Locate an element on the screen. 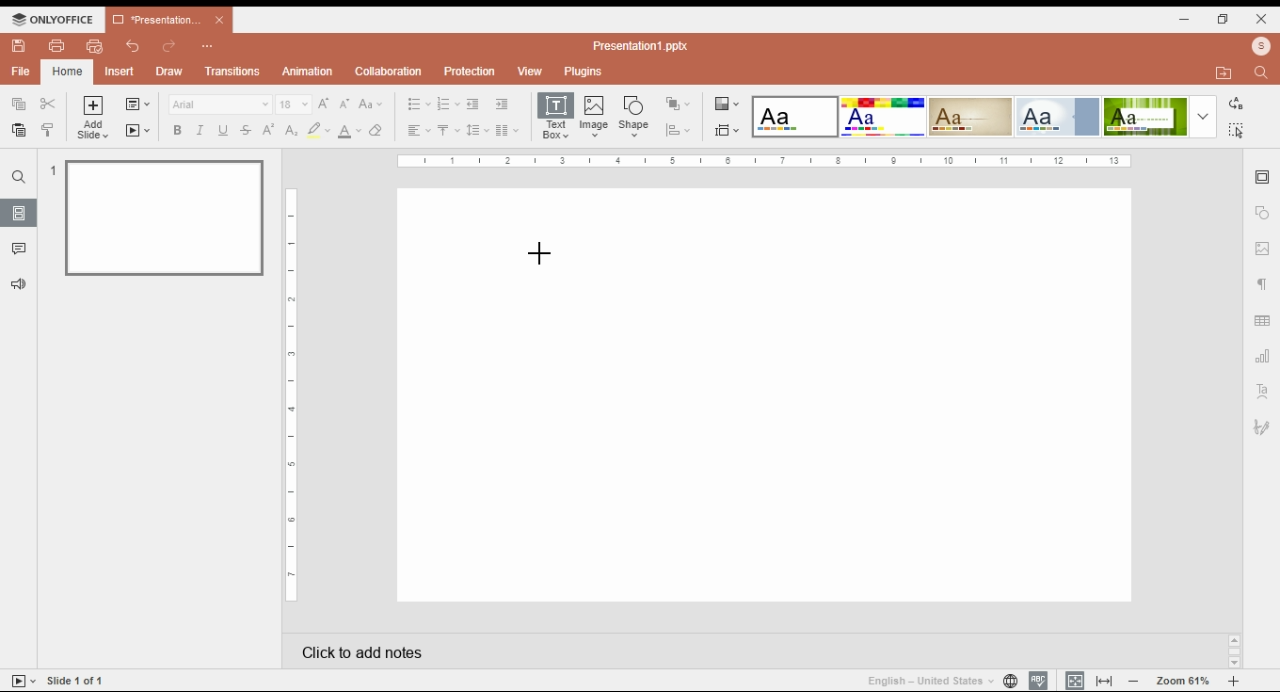  minimize is located at coordinates (1188, 20).